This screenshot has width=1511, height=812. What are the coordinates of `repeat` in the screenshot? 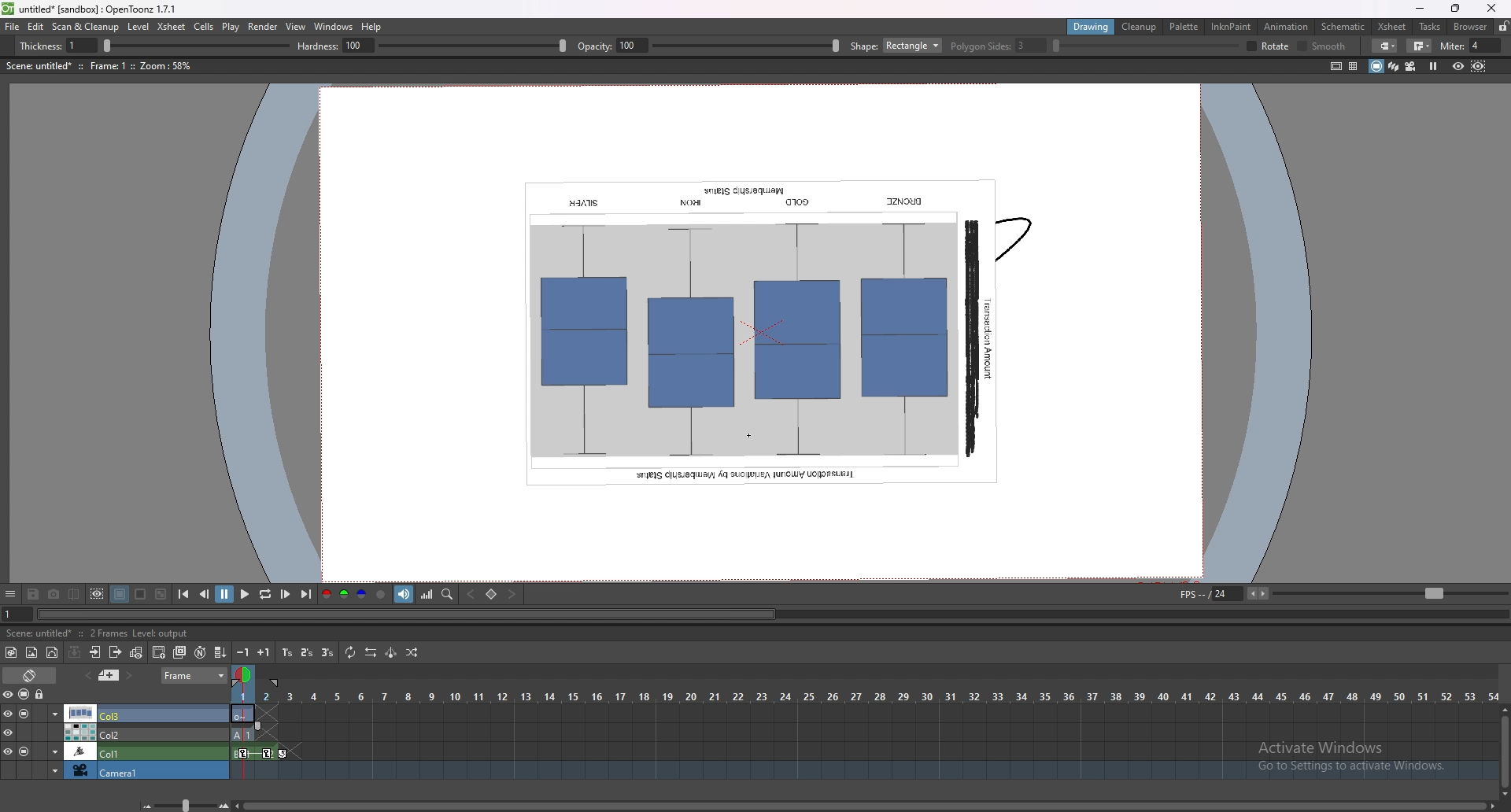 It's located at (349, 652).